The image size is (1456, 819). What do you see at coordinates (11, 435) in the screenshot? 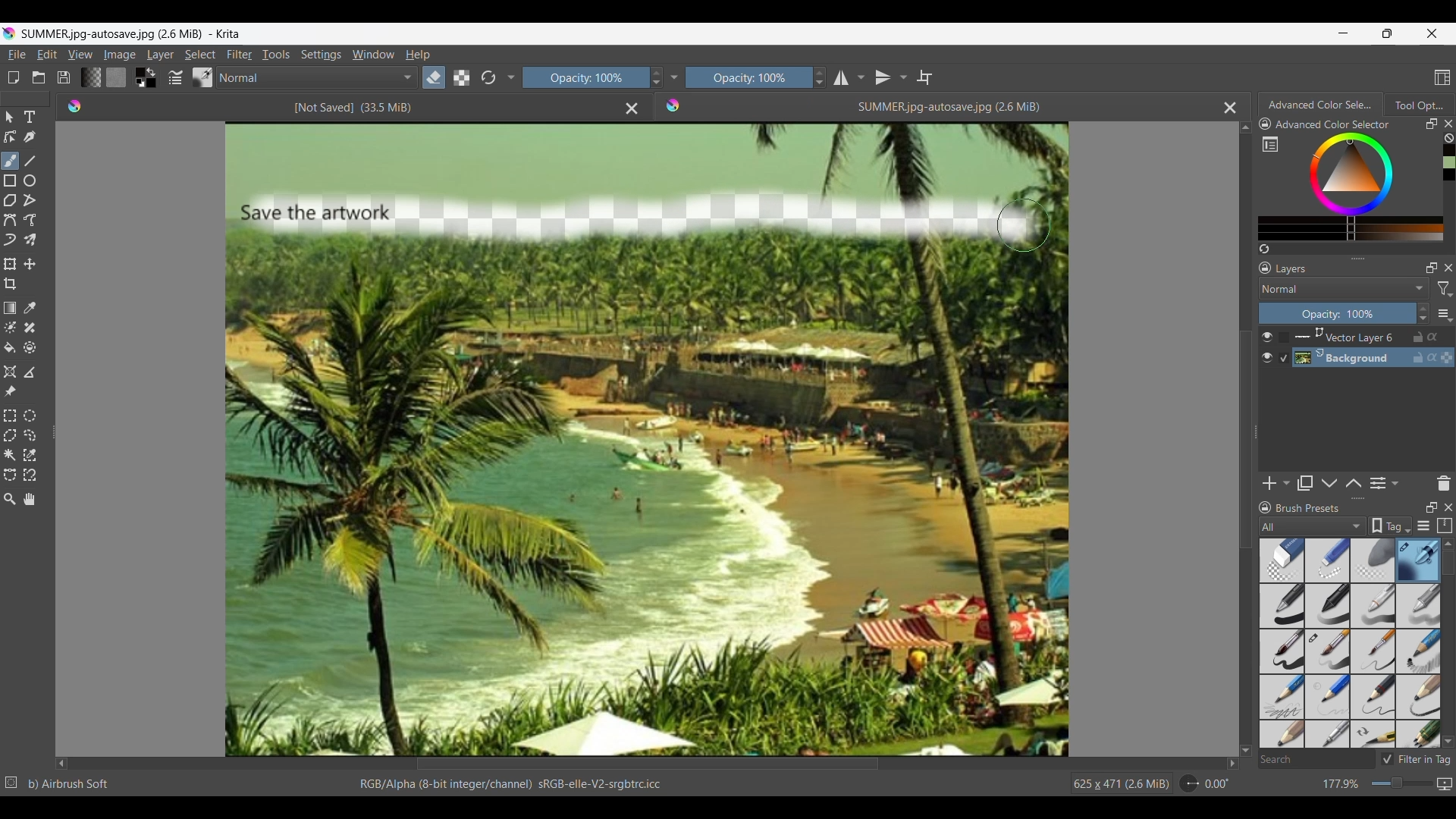
I see `Polygonal selection tool` at bounding box center [11, 435].